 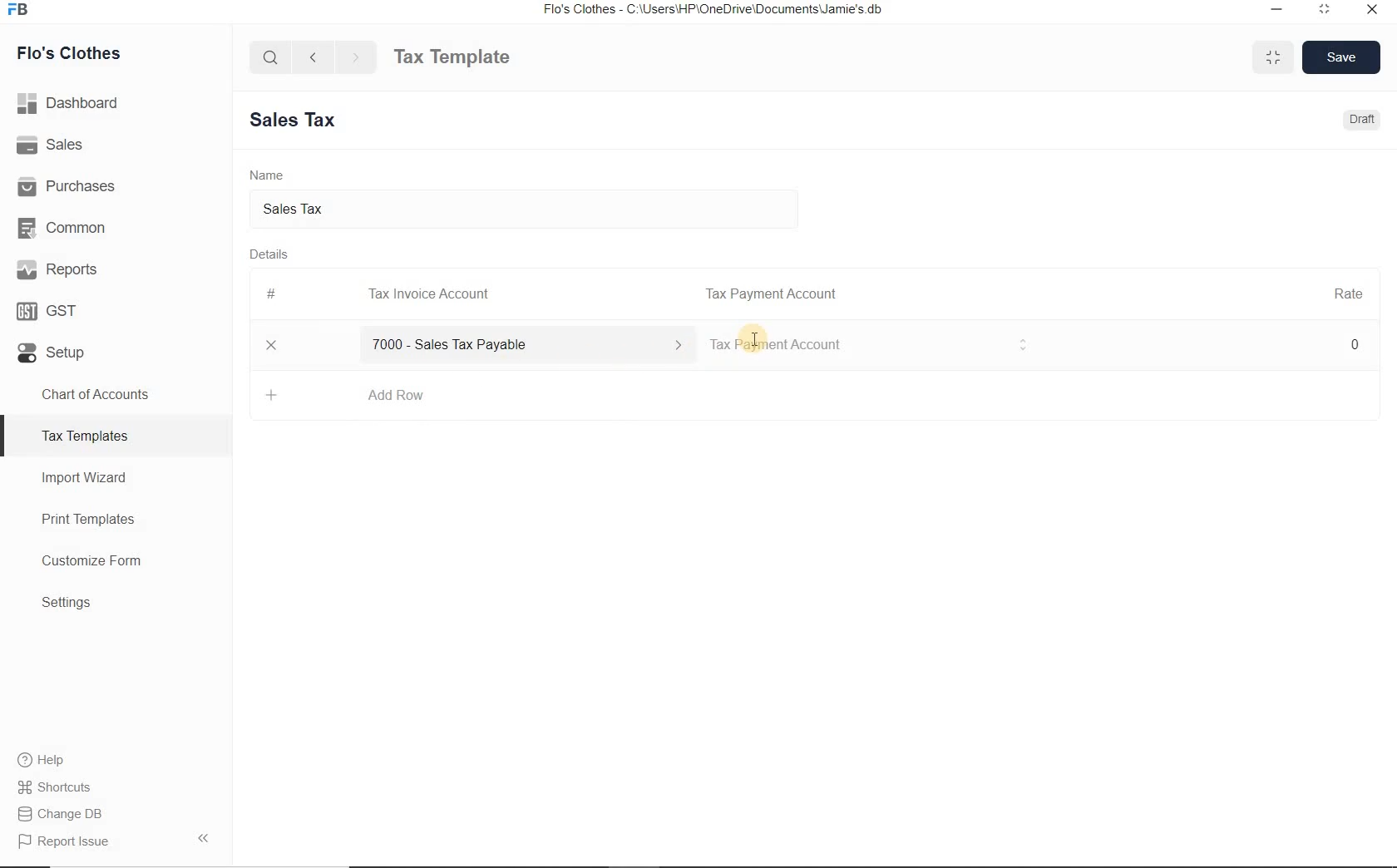 What do you see at coordinates (116, 144) in the screenshot?
I see `Sales` at bounding box center [116, 144].